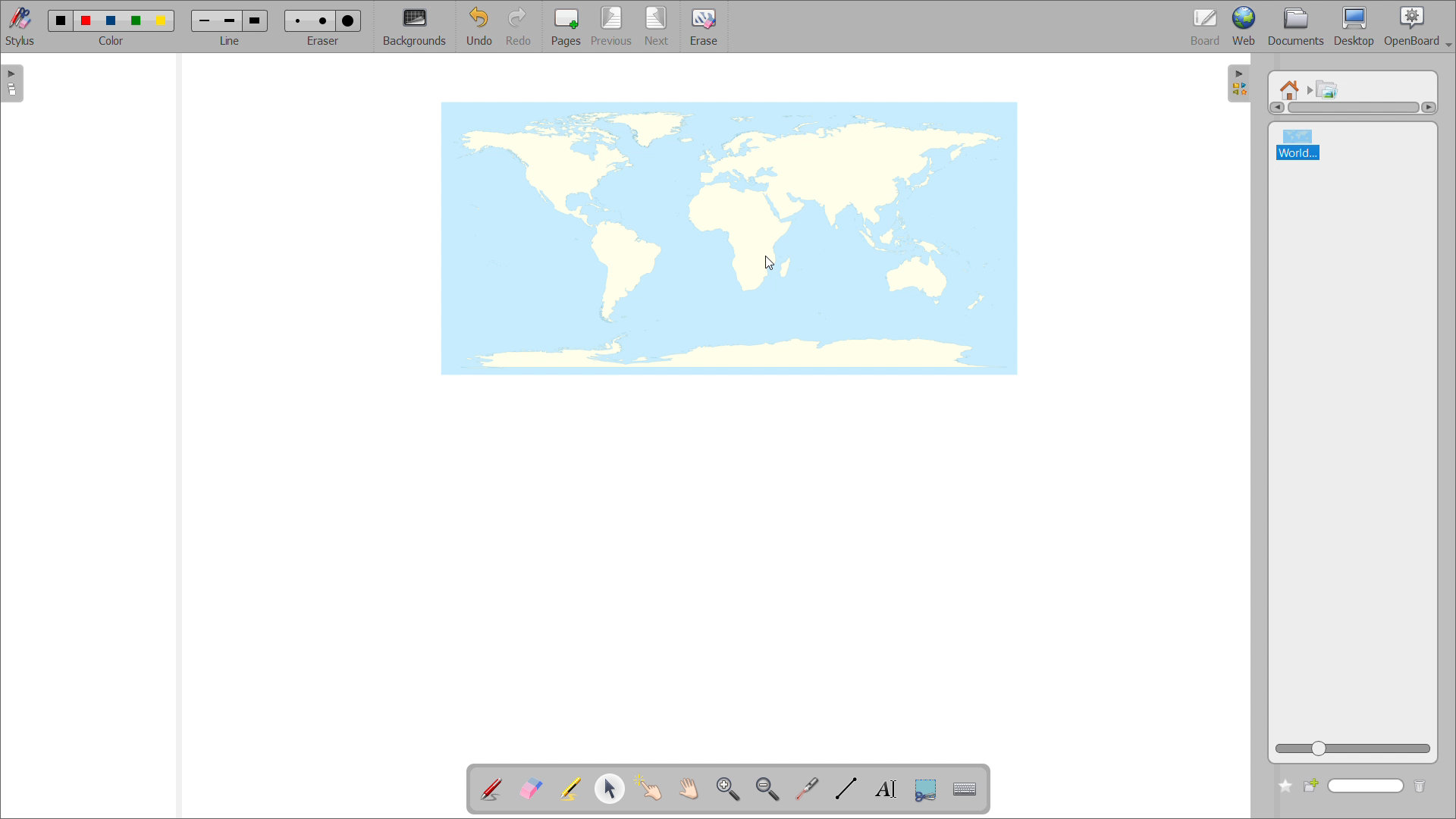 This screenshot has width=1456, height=819. Describe the element at coordinates (965, 789) in the screenshot. I see `virtual keyboard` at that location.